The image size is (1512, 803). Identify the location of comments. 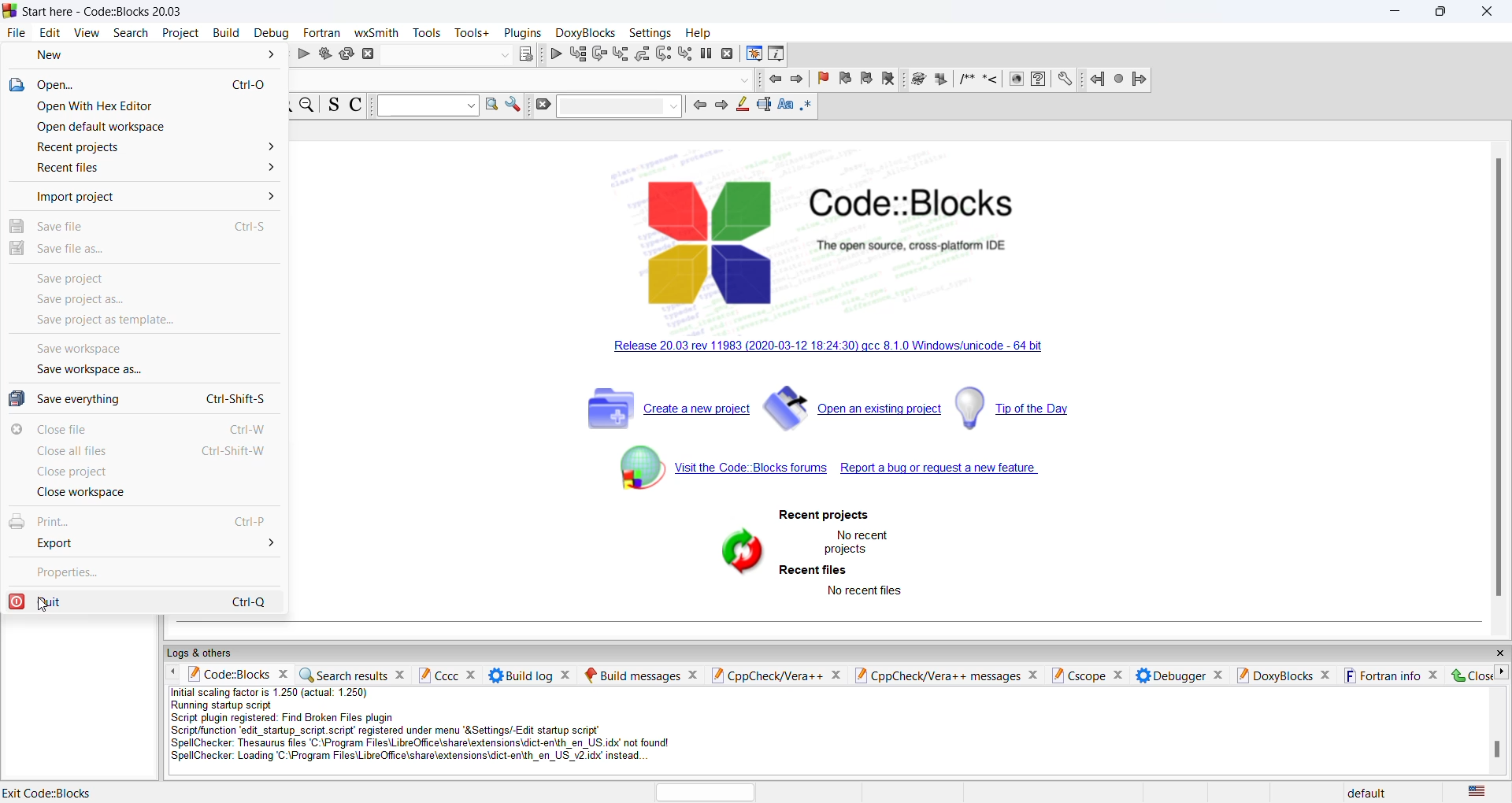
(965, 79).